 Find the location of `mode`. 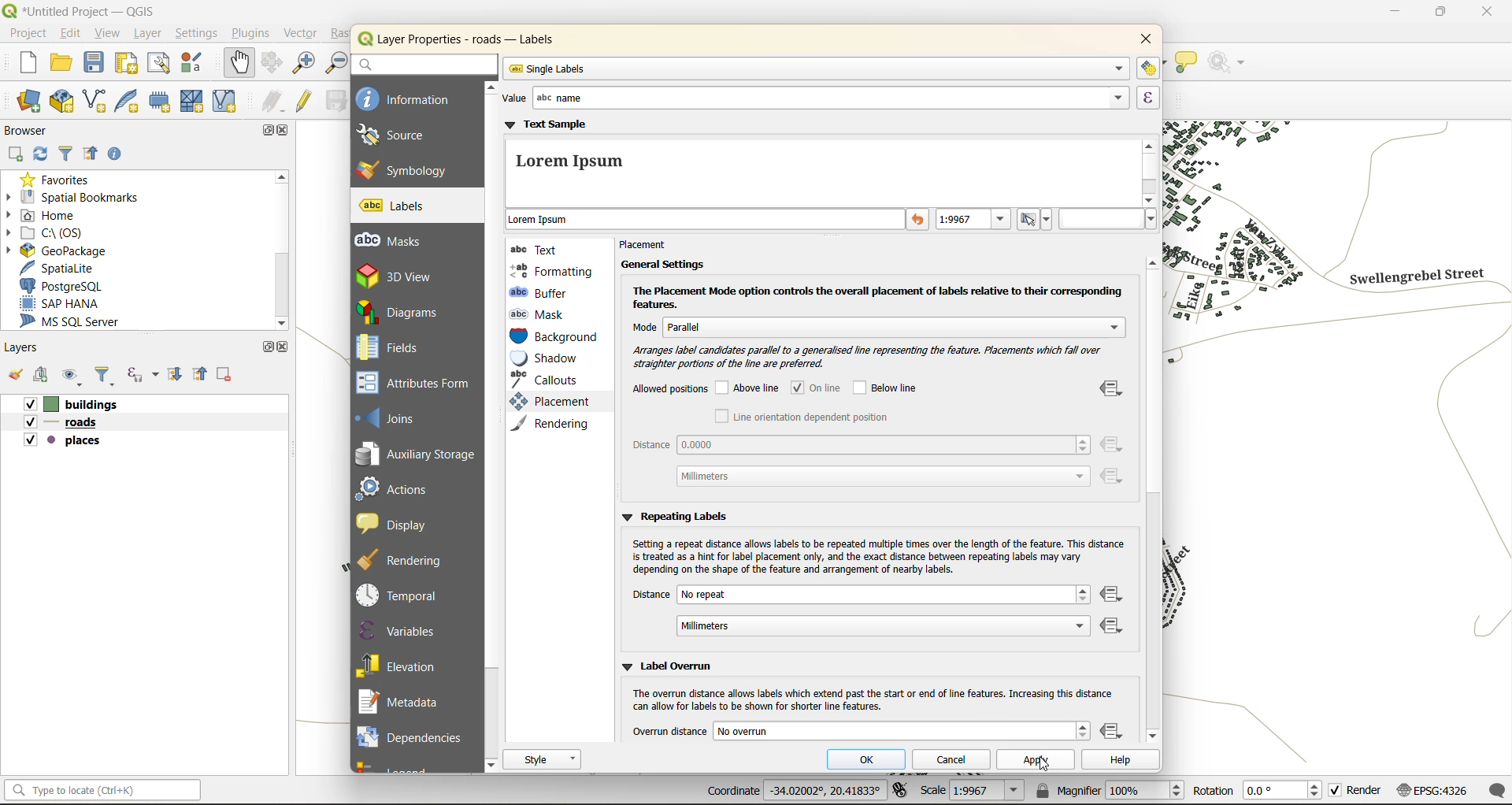

mode is located at coordinates (870, 329).